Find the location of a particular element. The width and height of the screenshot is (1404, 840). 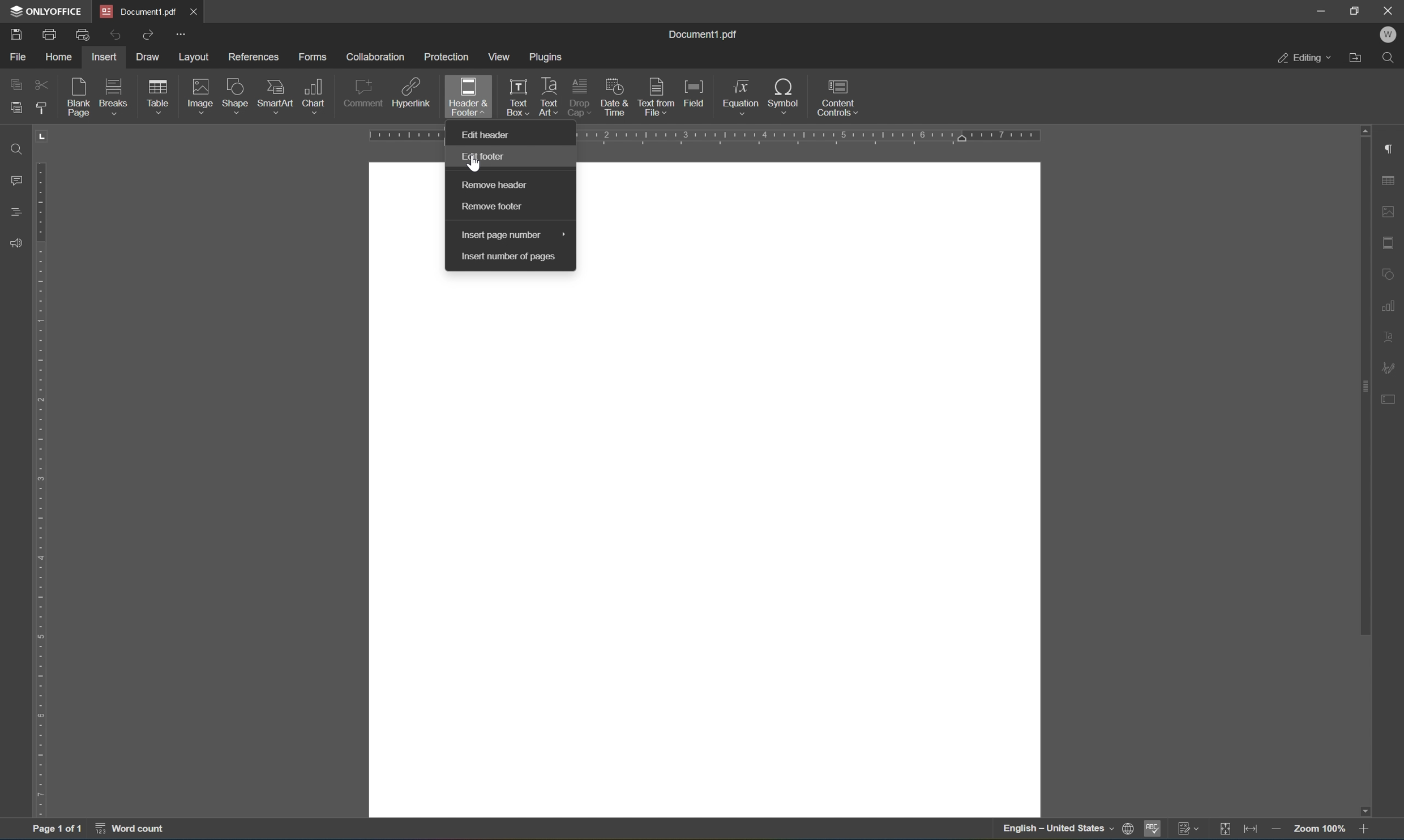

text from file is located at coordinates (657, 96).